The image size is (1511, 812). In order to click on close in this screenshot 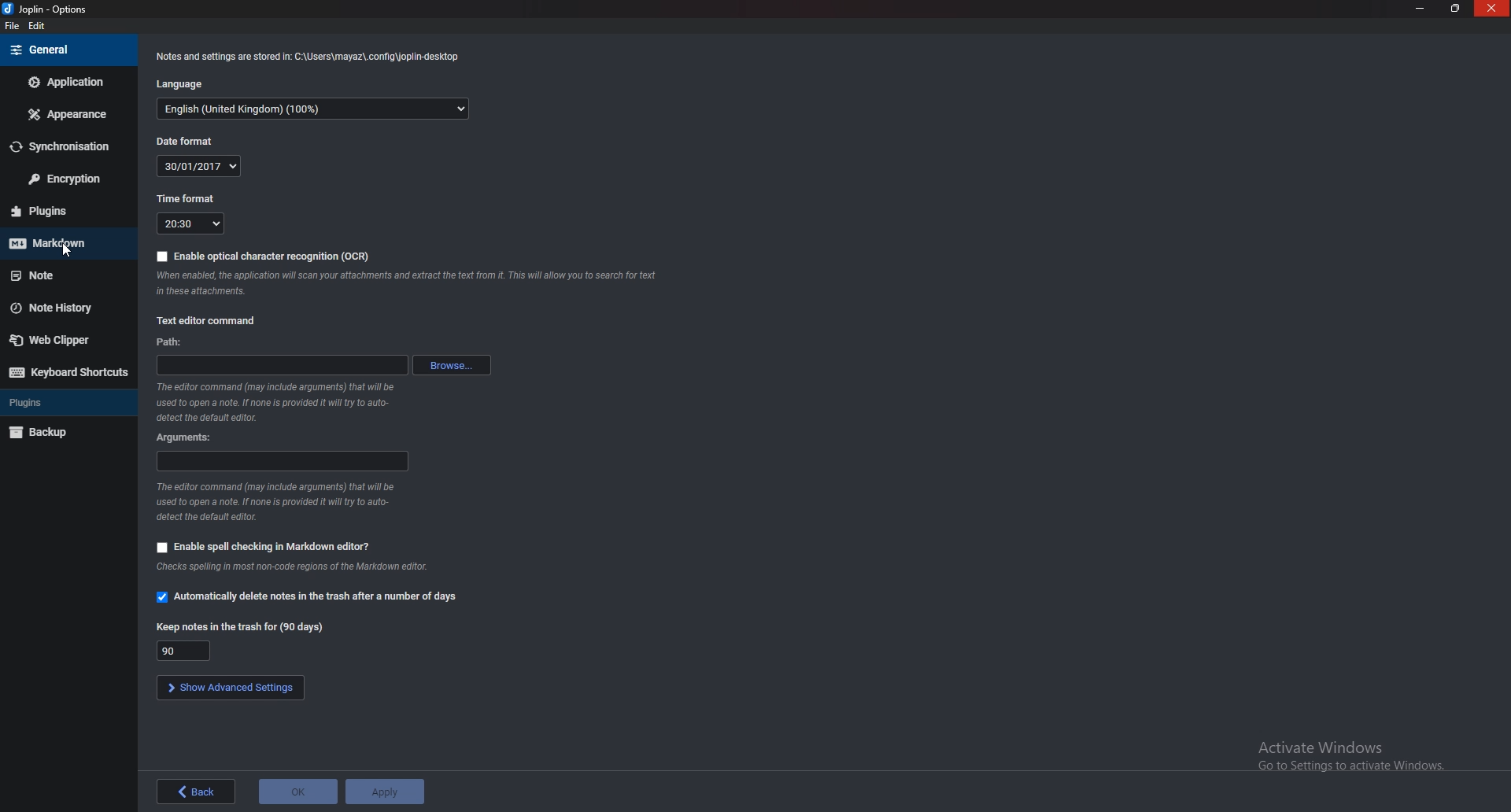, I will do `click(1491, 9)`.